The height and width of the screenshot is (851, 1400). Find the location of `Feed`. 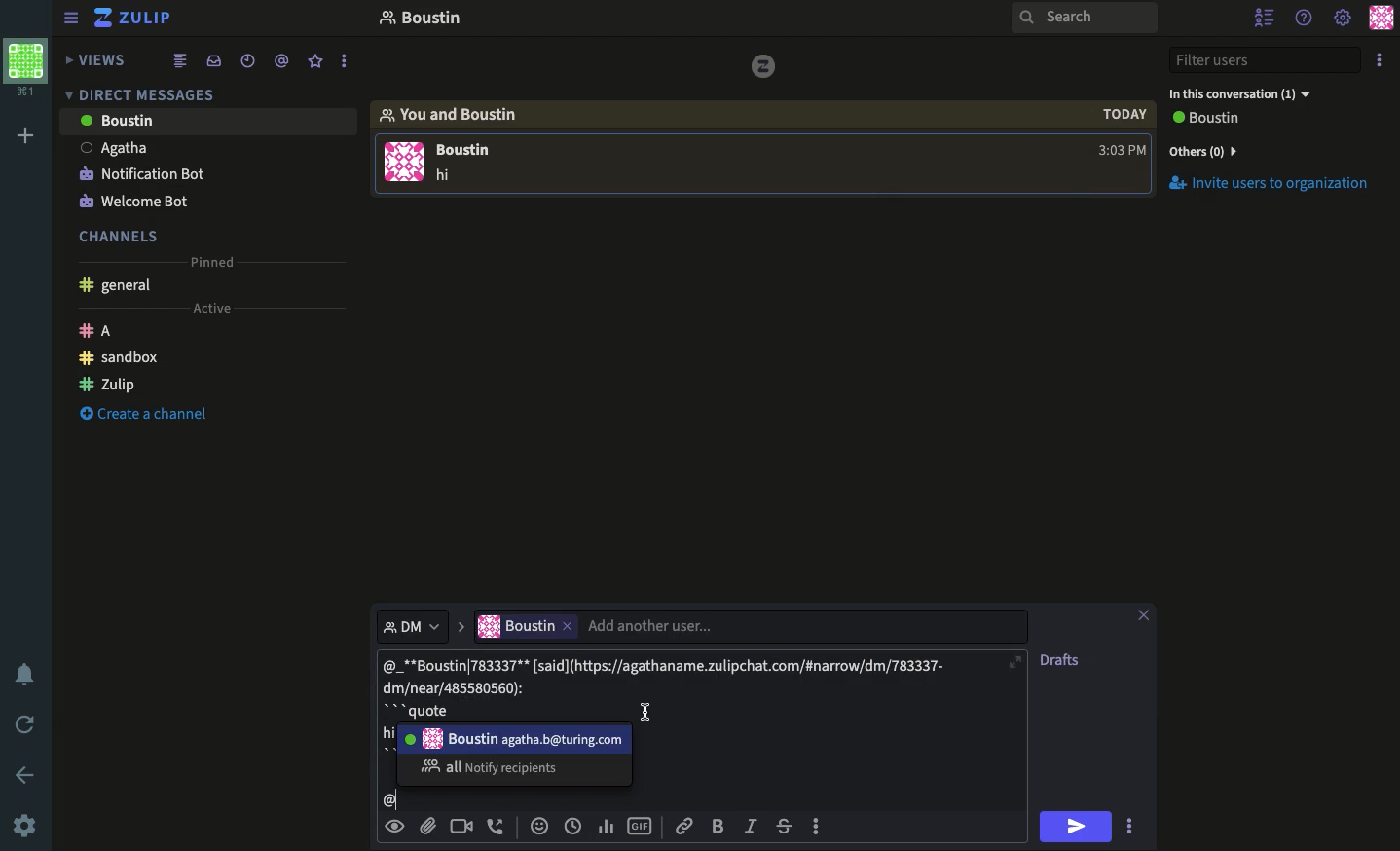

Feed is located at coordinates (183, 61).